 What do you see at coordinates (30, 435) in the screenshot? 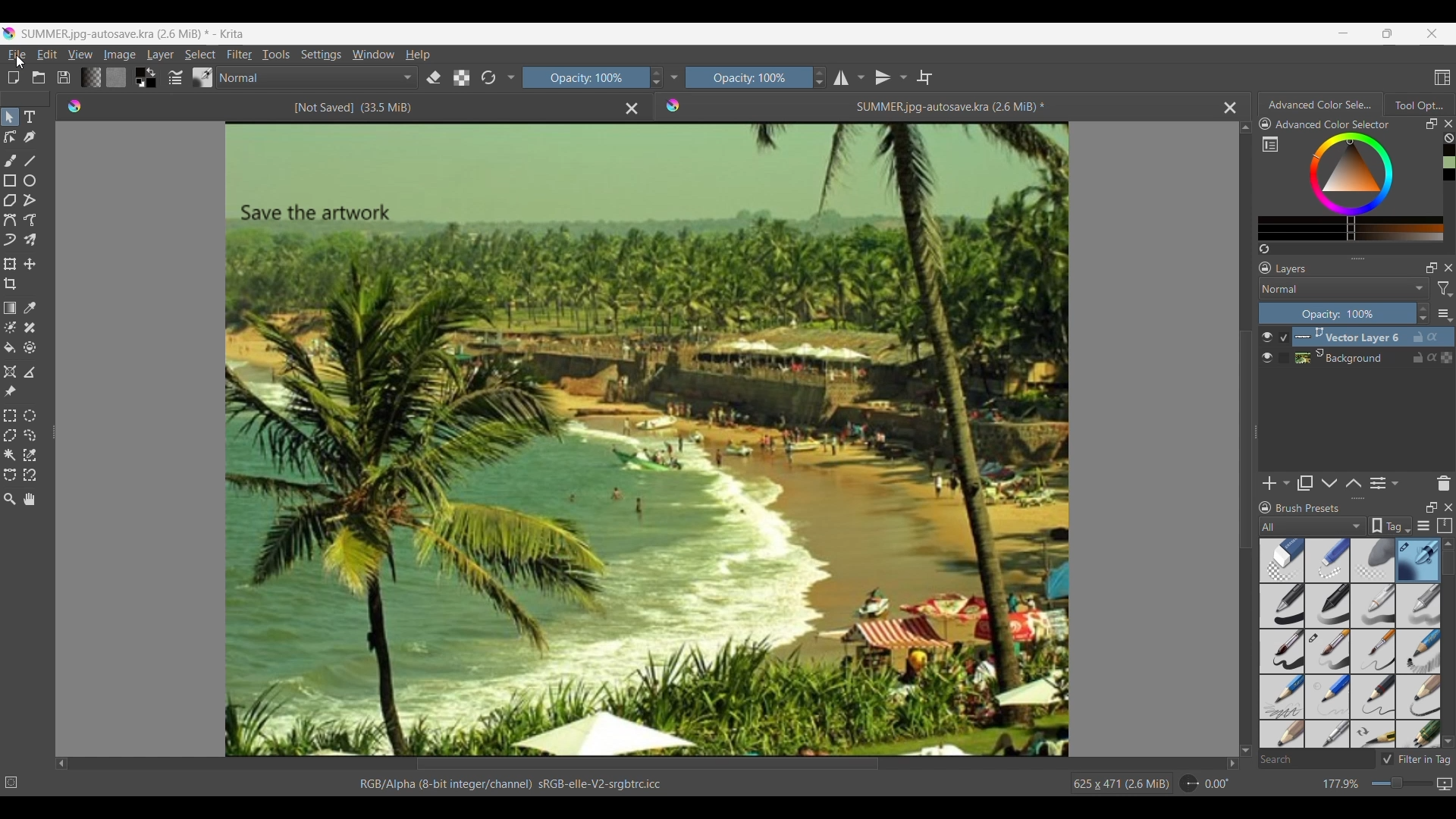
I see `Freehand selection tool` at bounding box center [30, 435].